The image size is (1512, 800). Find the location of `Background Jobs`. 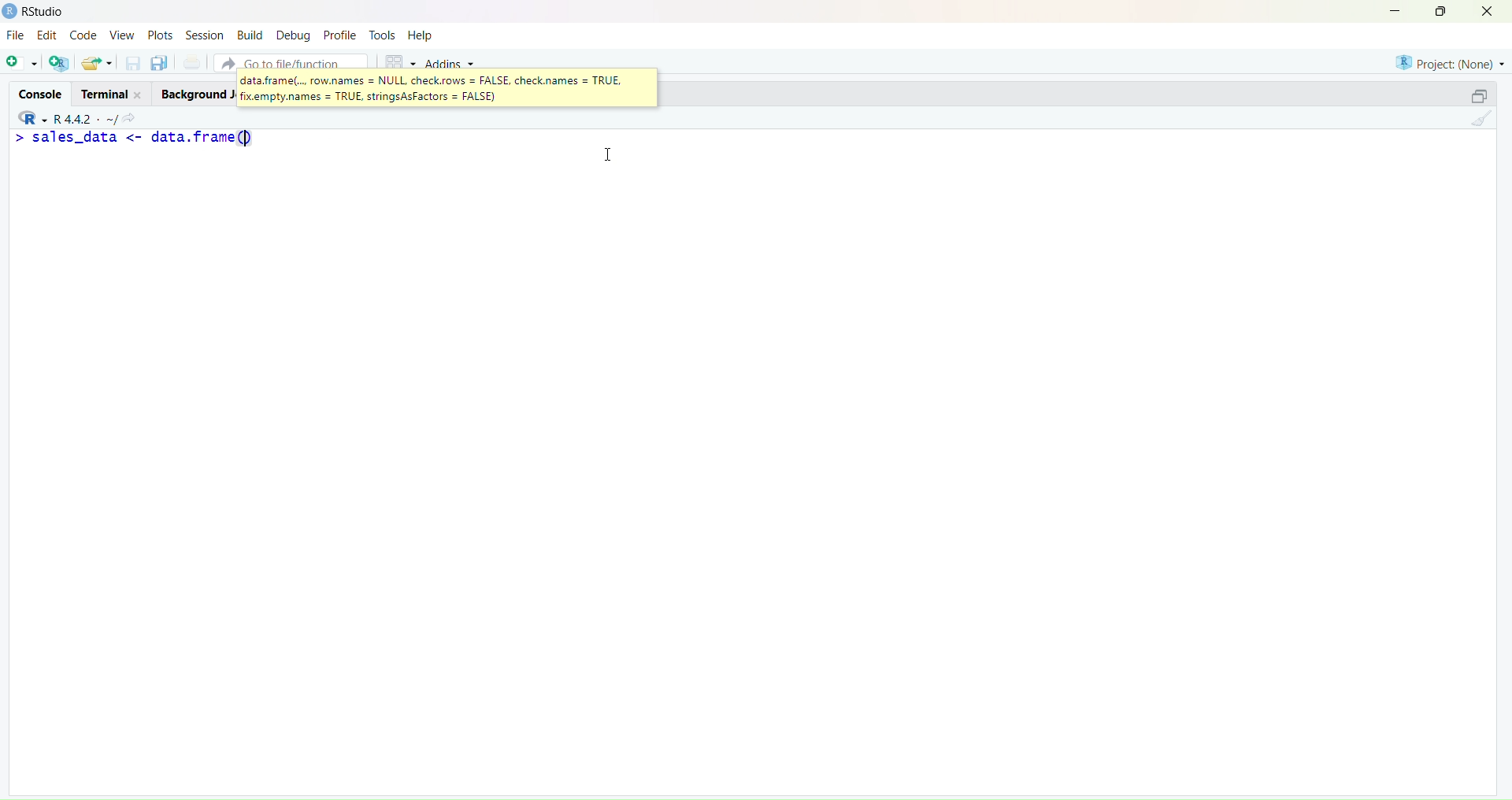

Background Jobs is located at coordinates (195, 94).